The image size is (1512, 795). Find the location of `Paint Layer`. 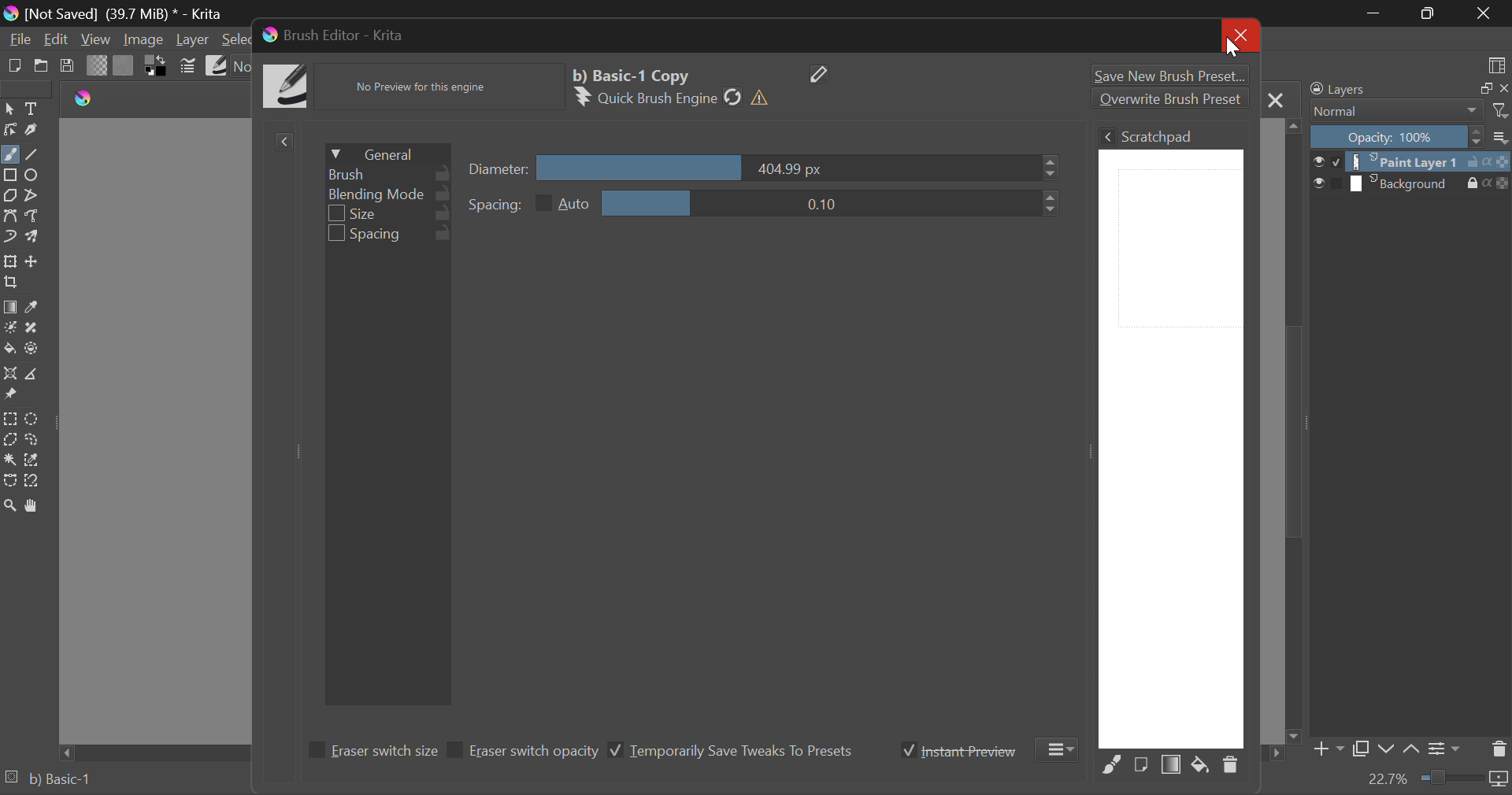

Paint Layer is located at coordinates (1412, 161).